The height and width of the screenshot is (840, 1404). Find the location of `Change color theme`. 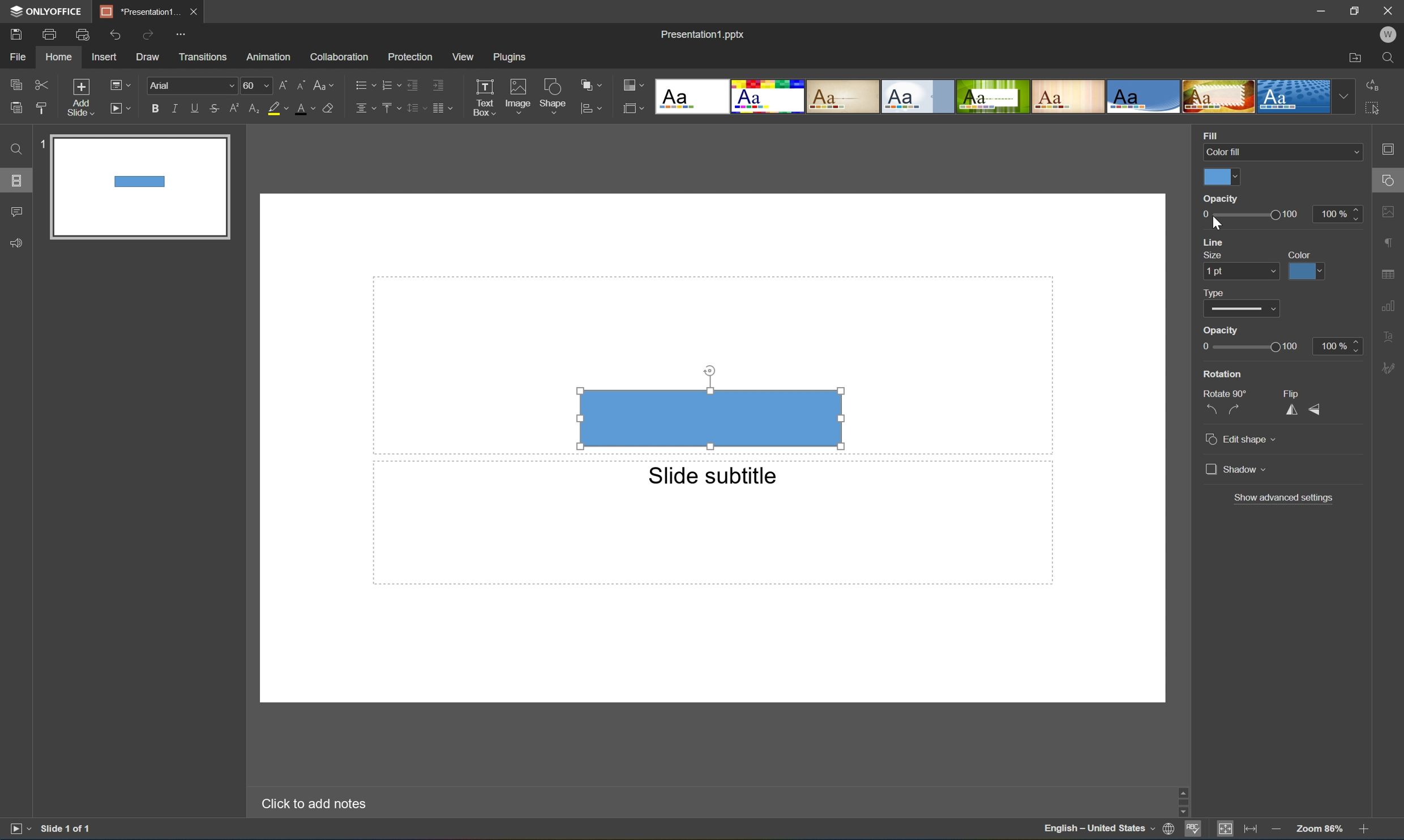

Change color theme is located at coordinates (633, 85).